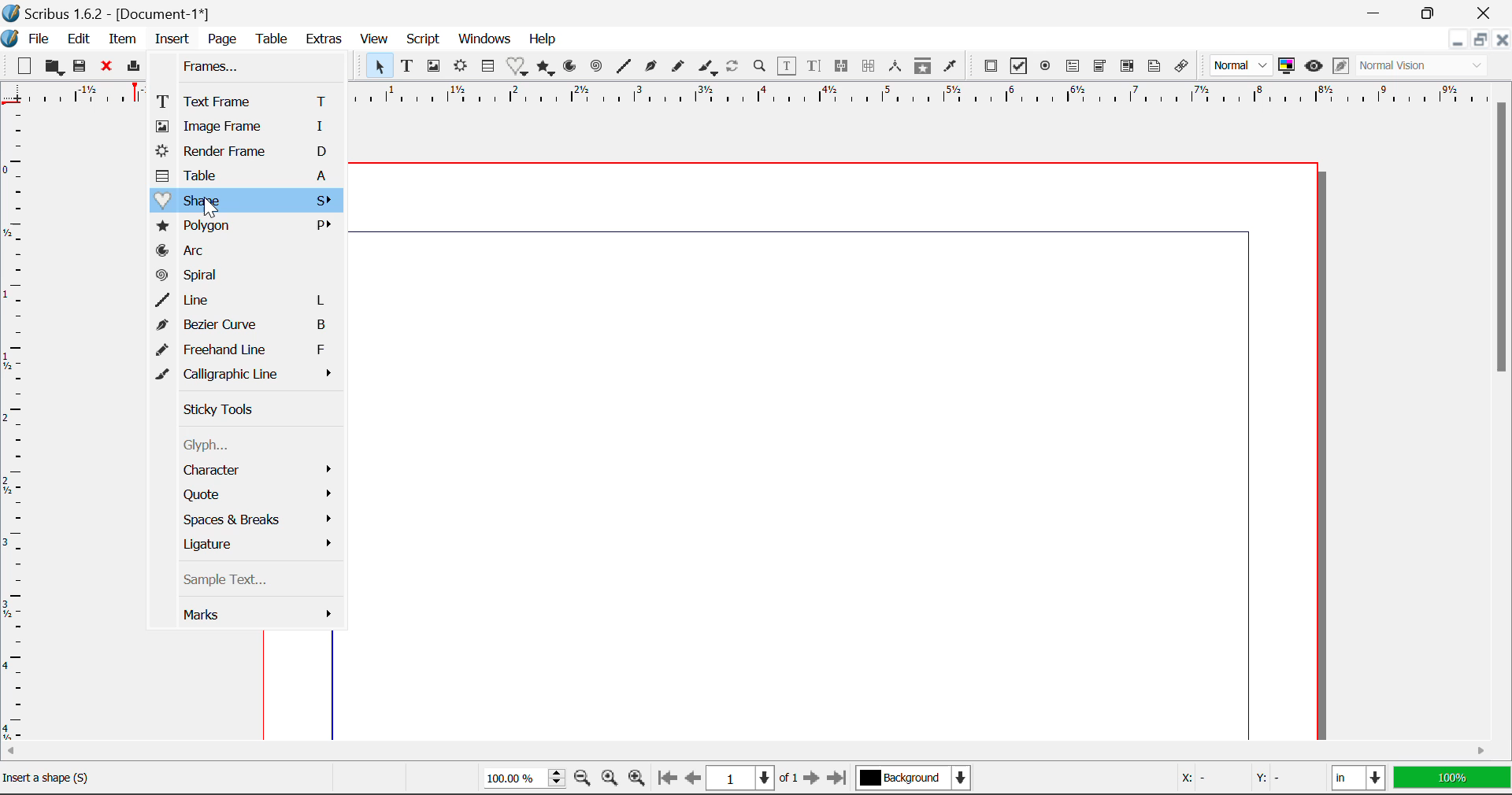 This screenshot has height=795, width=1512. What do you see at coordinates (79, 39) in the screenshot?
I see `Edit` at bounding box center [79, 39].